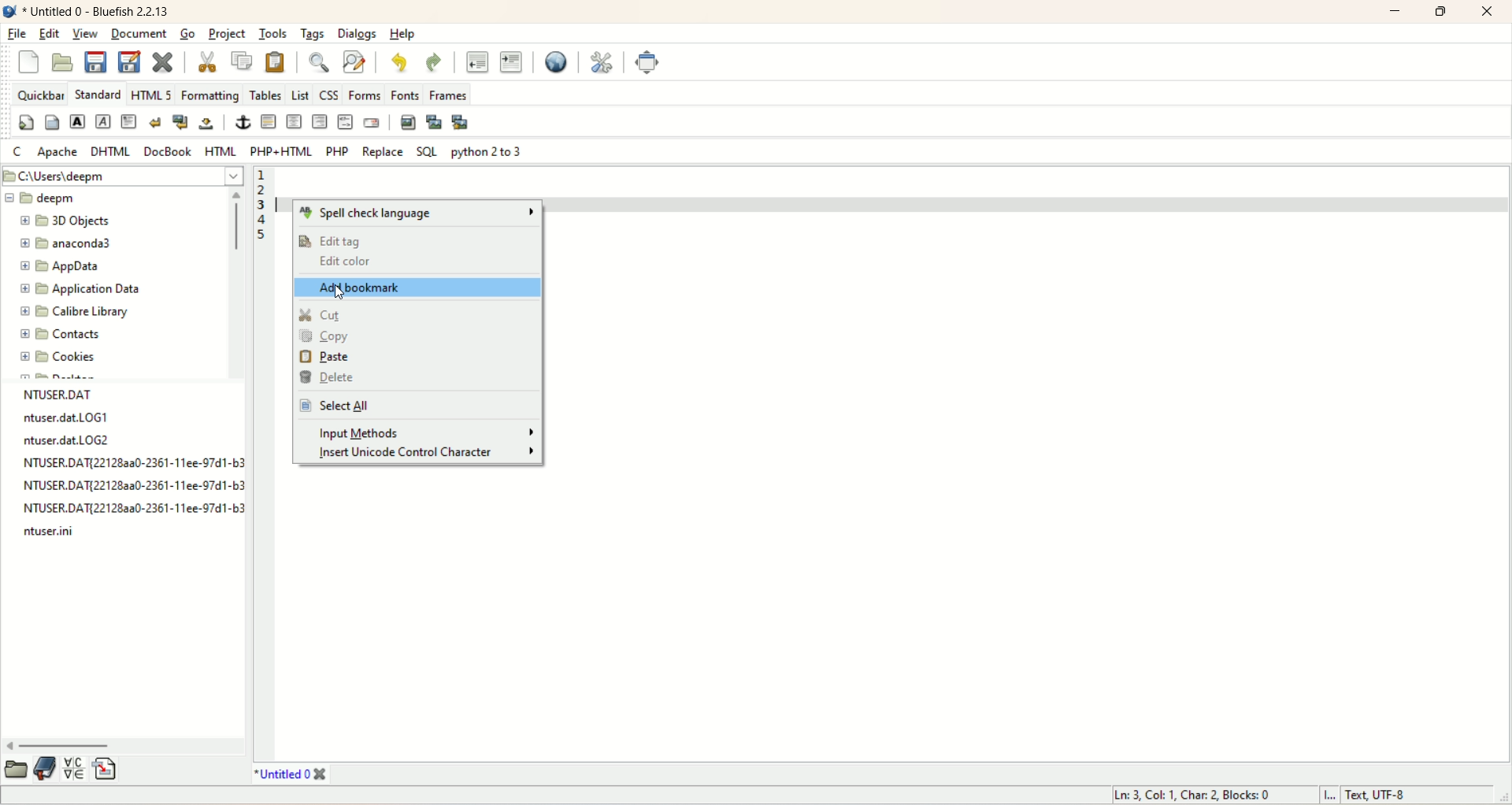 Image resolution: width=1512 pixels, height=805 pixels. I want to click on line numbers, so click(261, 208).